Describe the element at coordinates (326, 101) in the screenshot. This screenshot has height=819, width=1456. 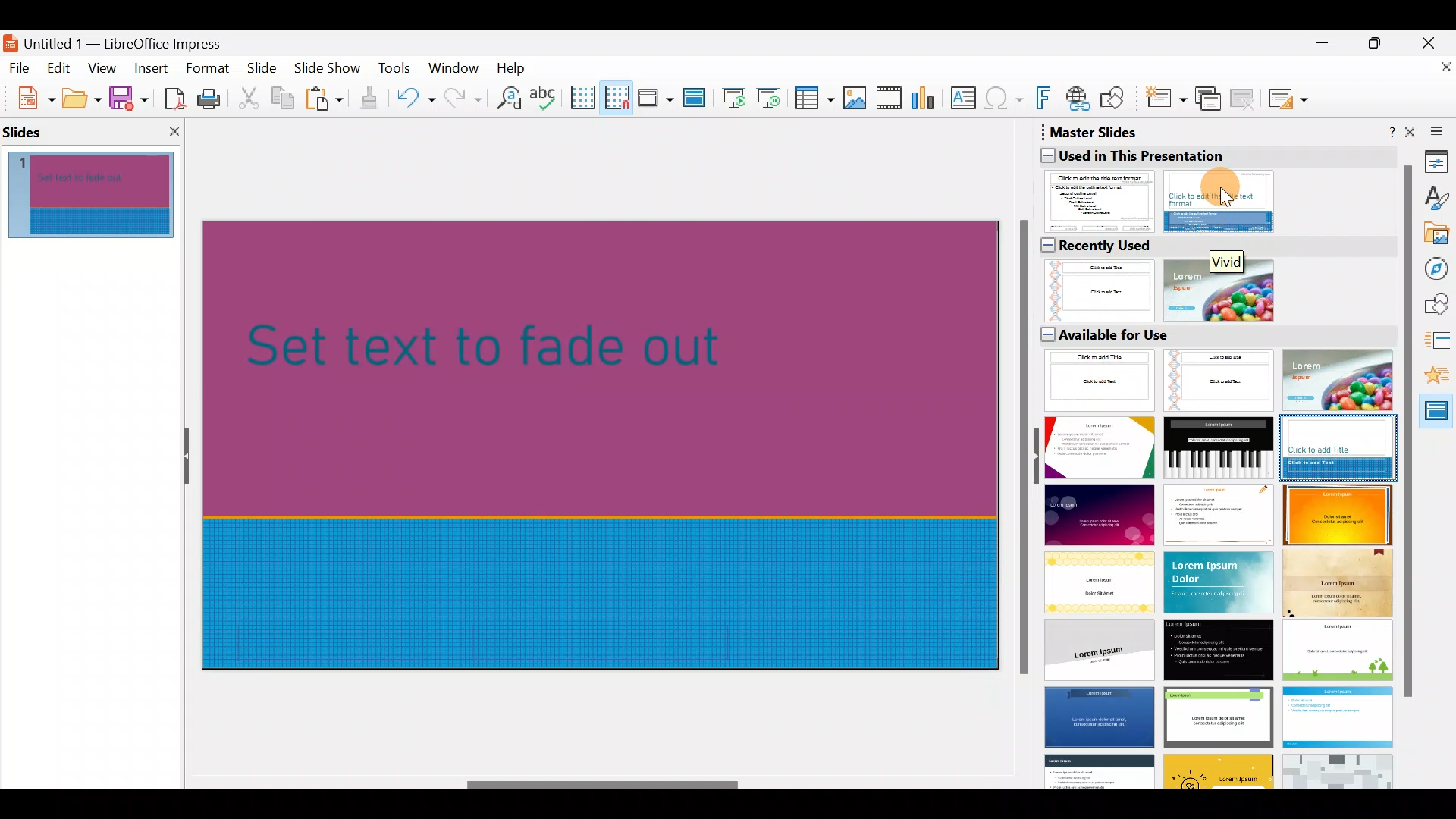
I see `Paste` at that location.